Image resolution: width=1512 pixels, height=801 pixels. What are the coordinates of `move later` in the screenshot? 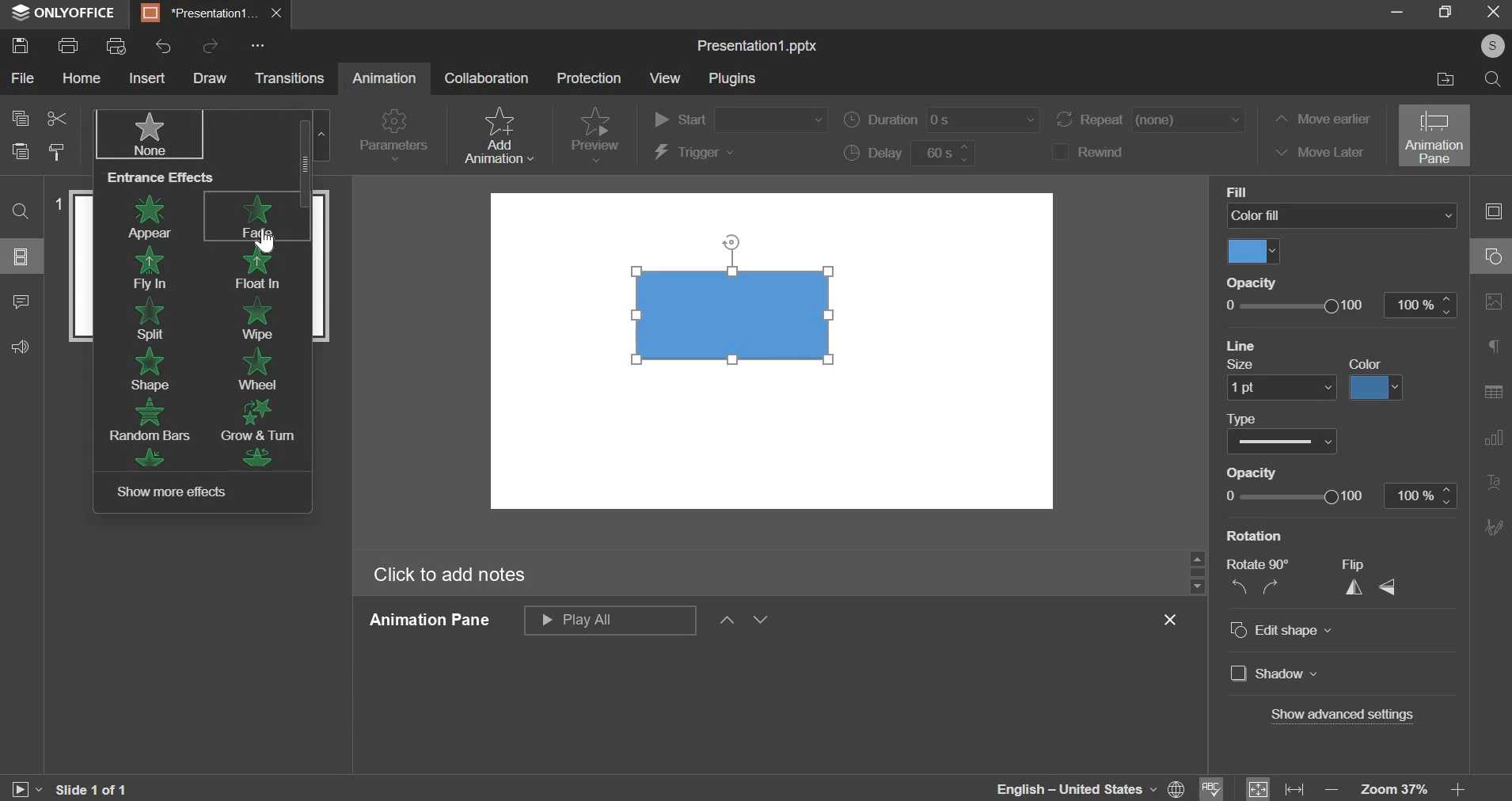 It's located at (1321, 154).